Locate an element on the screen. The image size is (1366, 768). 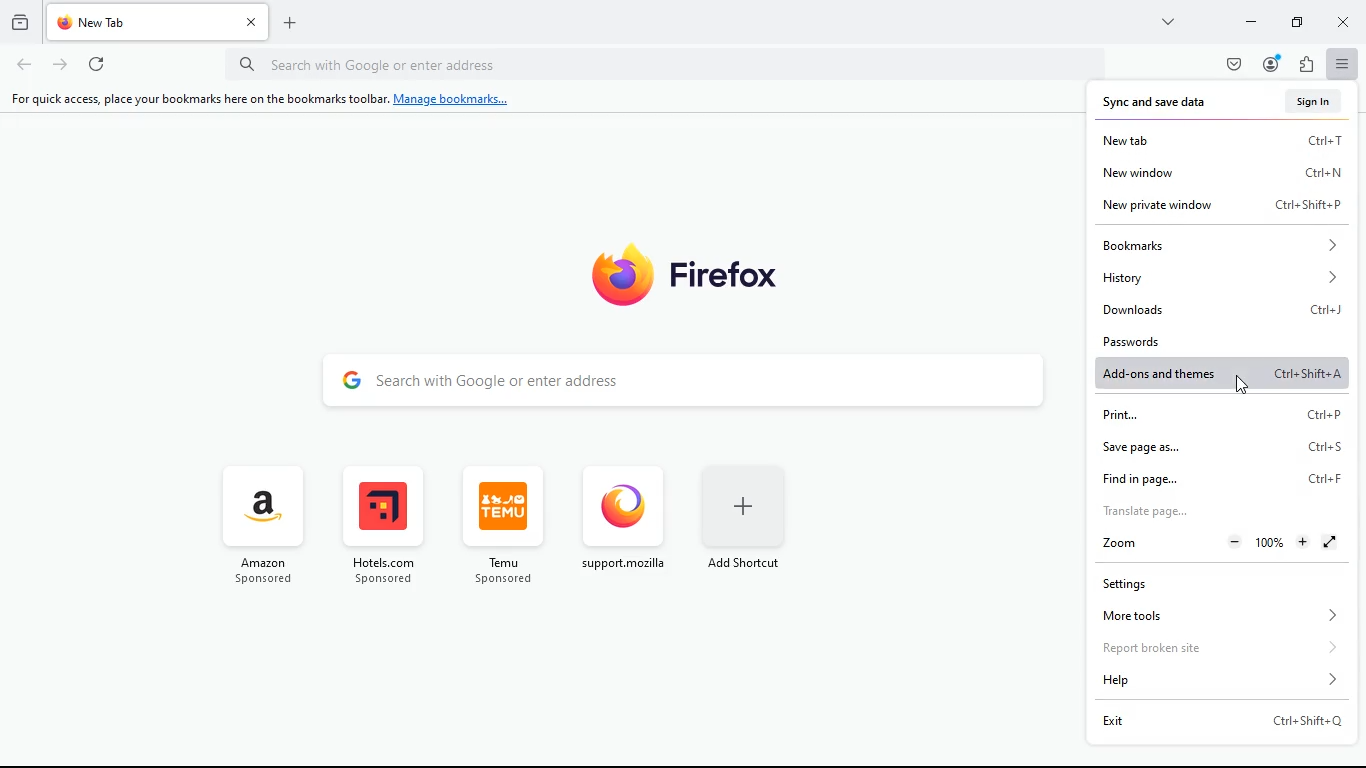
exit is located at coordinates (1224, 719).